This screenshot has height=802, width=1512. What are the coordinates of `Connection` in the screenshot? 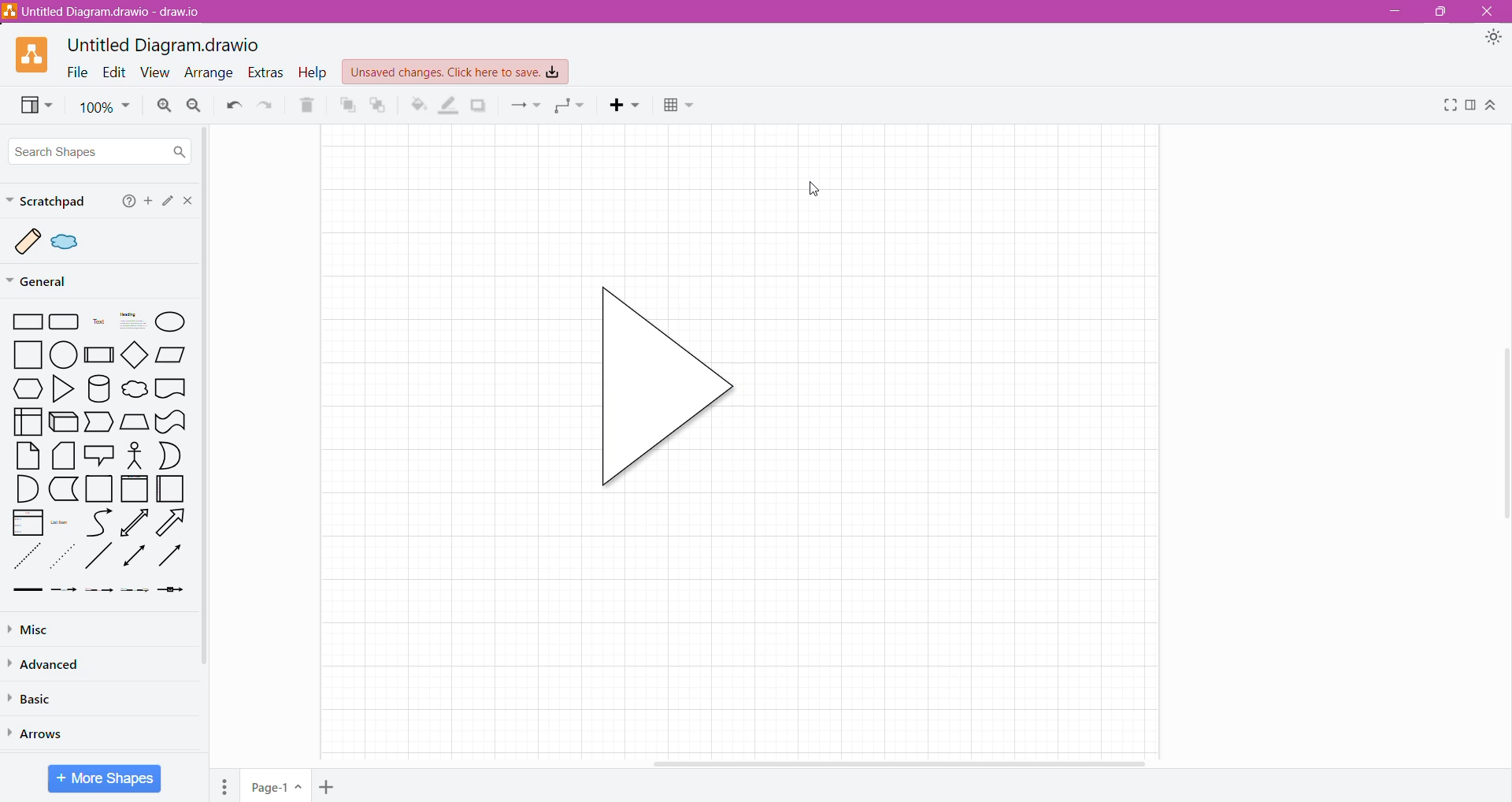 It's located at (527, 104).